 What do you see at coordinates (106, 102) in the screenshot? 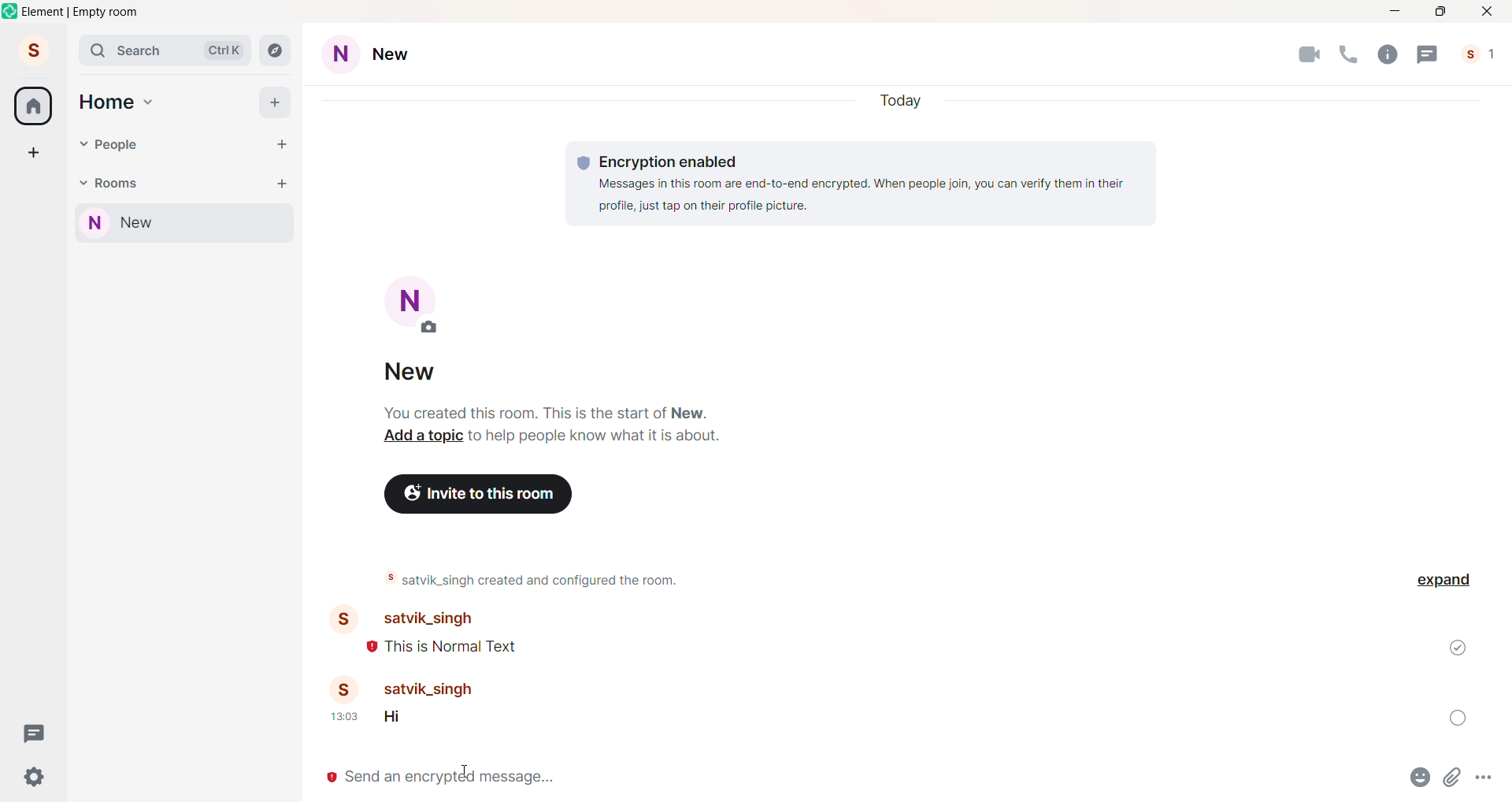
I see `Home` at bounding box center [106, 102].